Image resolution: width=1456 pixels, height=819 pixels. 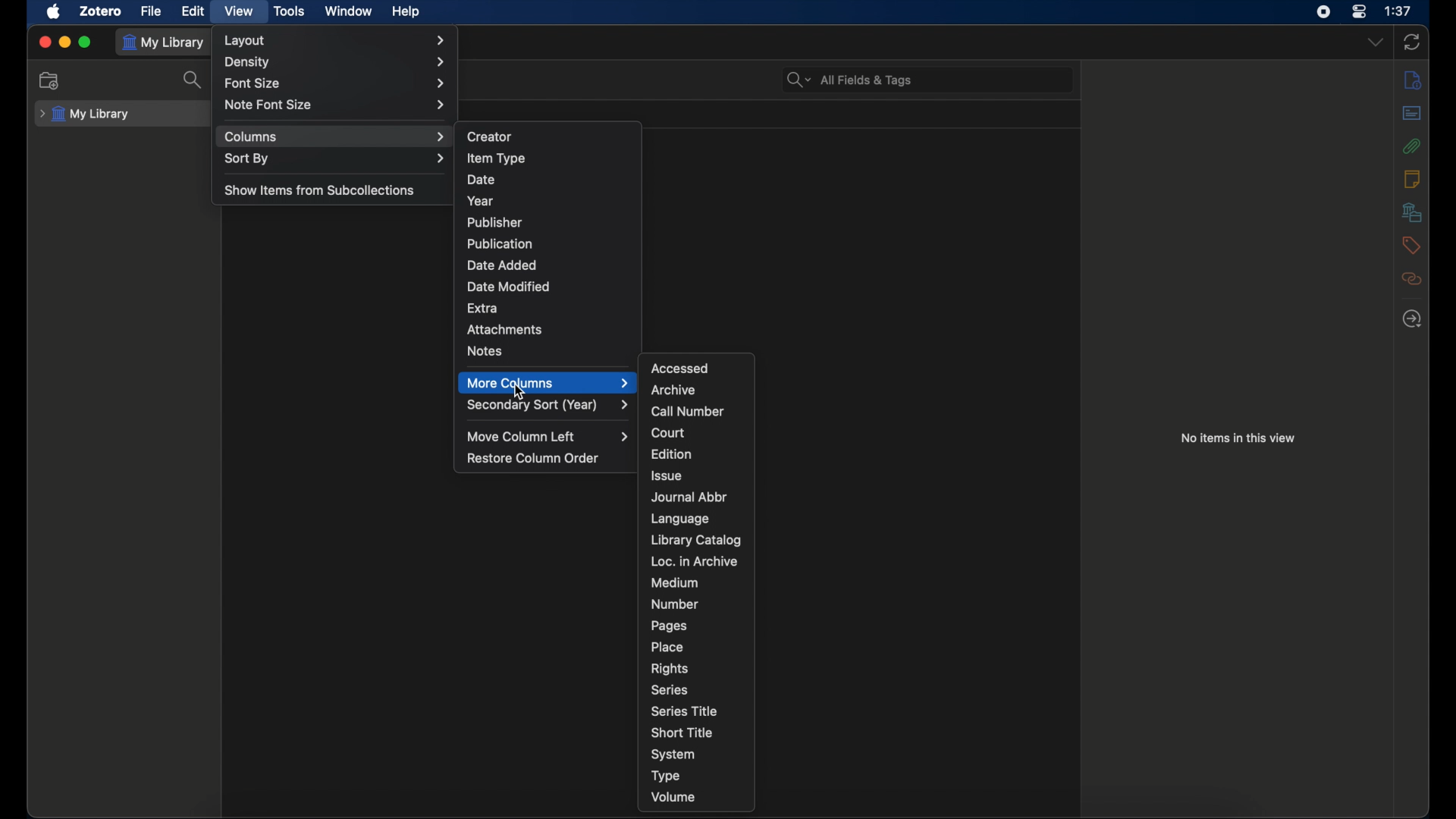 What do you see at coordinates (1412, 319) in the screenshot?
I see `locate` at bounding box center [1412, 319].